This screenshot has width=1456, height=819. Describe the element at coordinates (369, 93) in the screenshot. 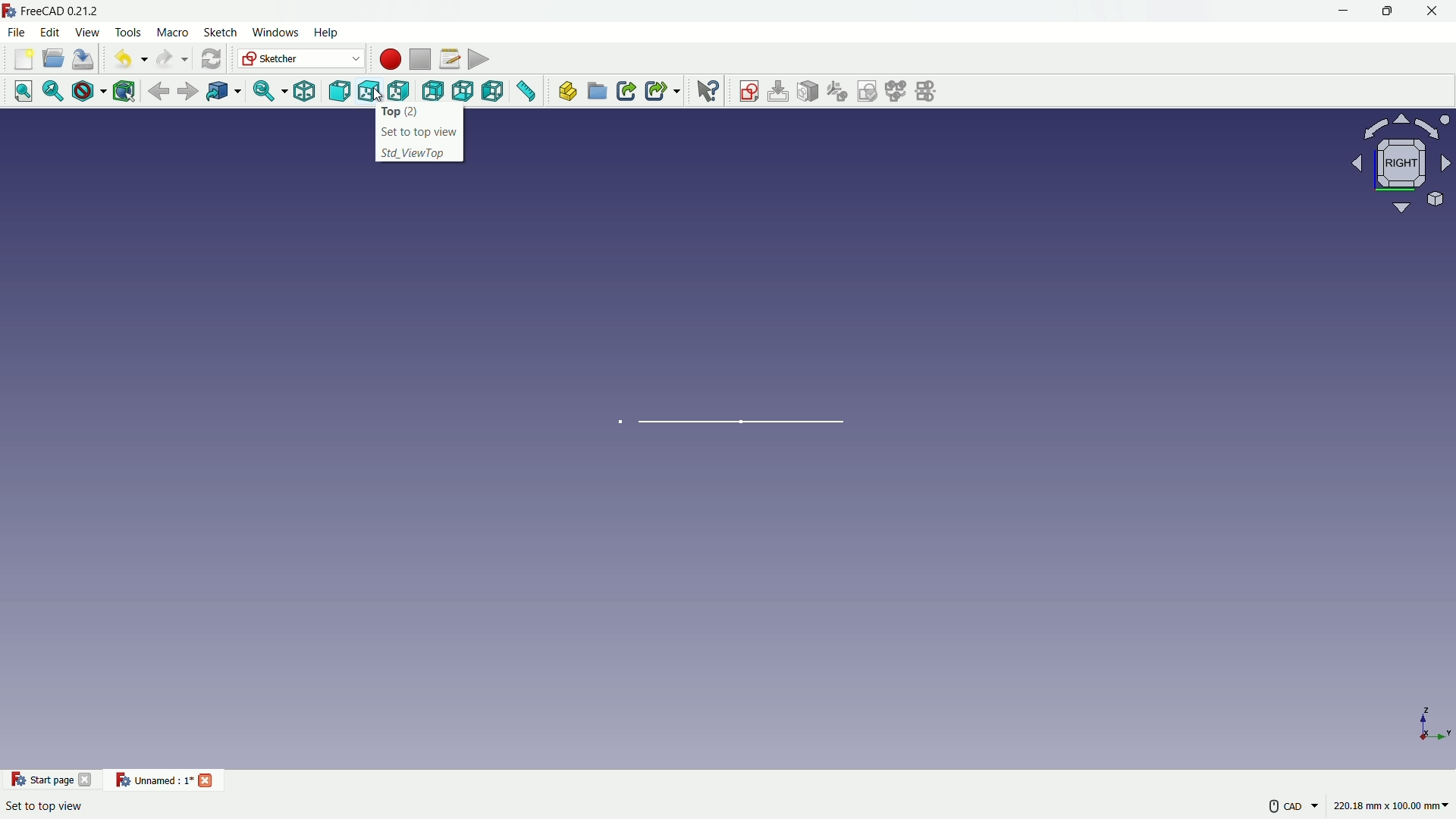

I see `front view` at that location.